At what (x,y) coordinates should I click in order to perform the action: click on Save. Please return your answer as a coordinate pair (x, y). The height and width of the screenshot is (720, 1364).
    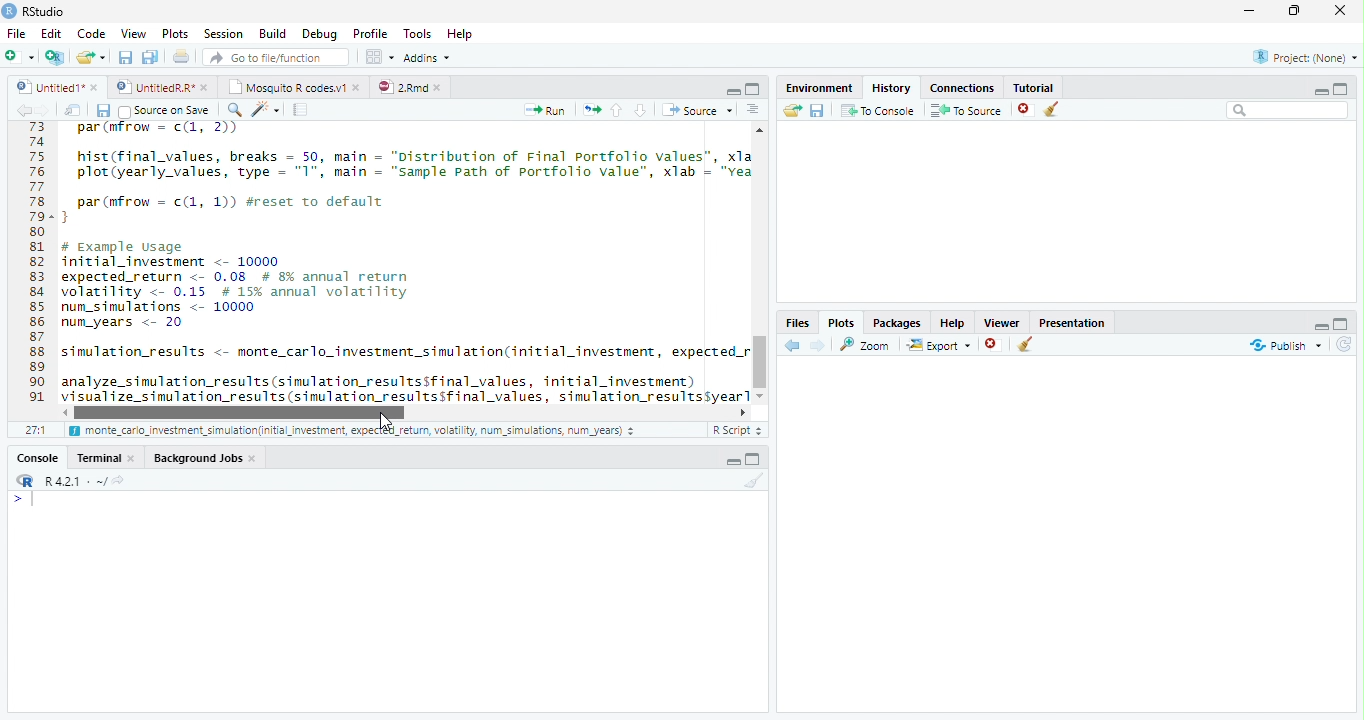
    Looking at the image, I should click on (817, 110).